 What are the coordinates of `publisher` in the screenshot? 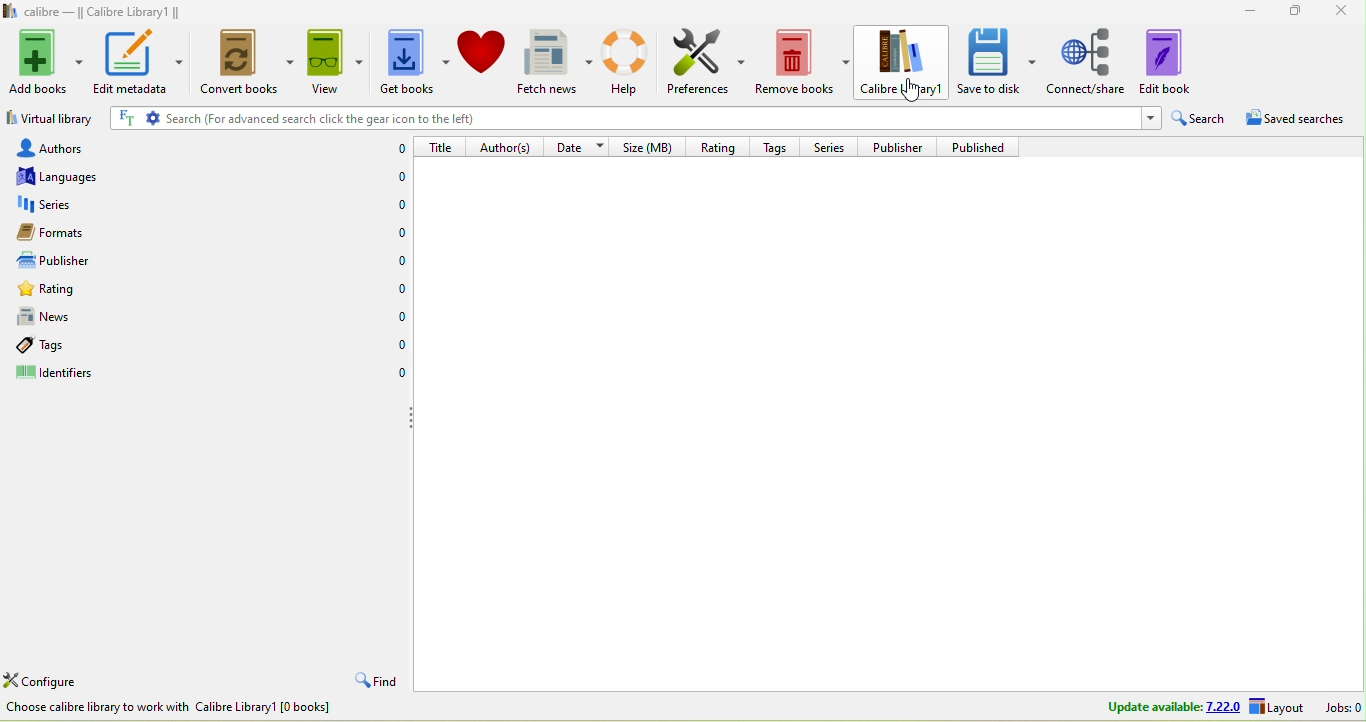 It's located at (74, 261).